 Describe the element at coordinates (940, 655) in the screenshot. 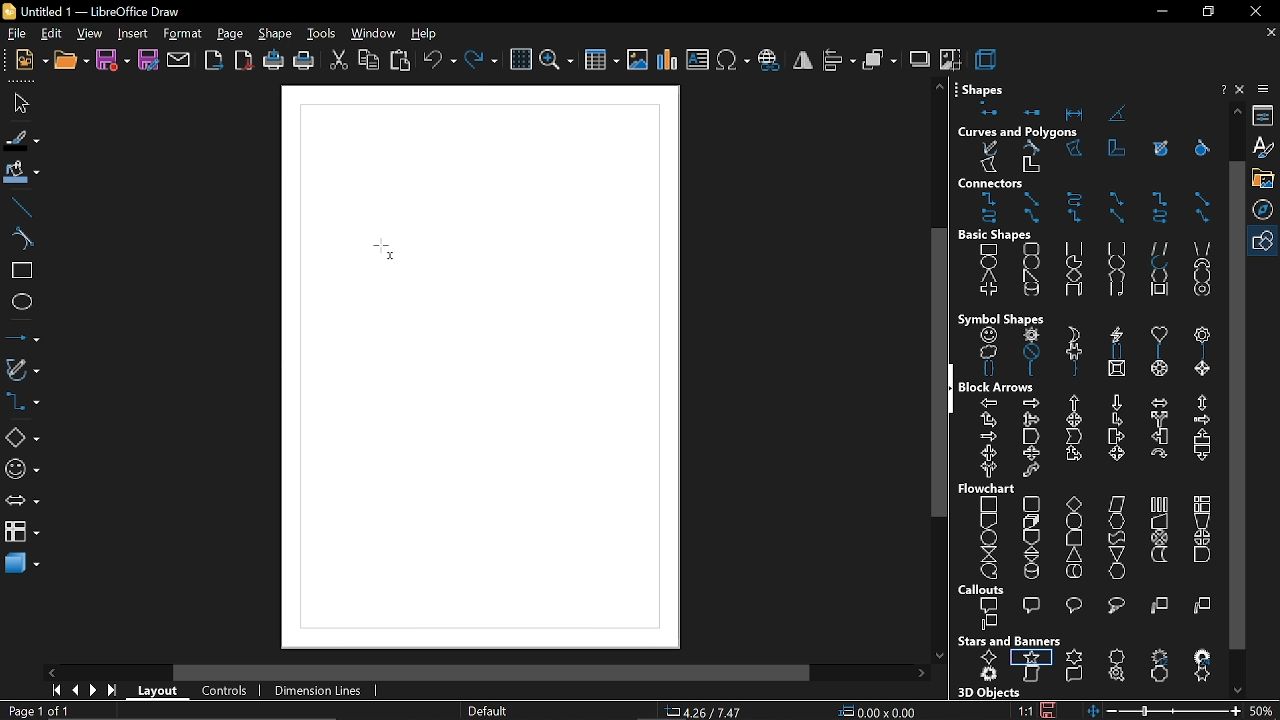

I see `move down ` at that location.